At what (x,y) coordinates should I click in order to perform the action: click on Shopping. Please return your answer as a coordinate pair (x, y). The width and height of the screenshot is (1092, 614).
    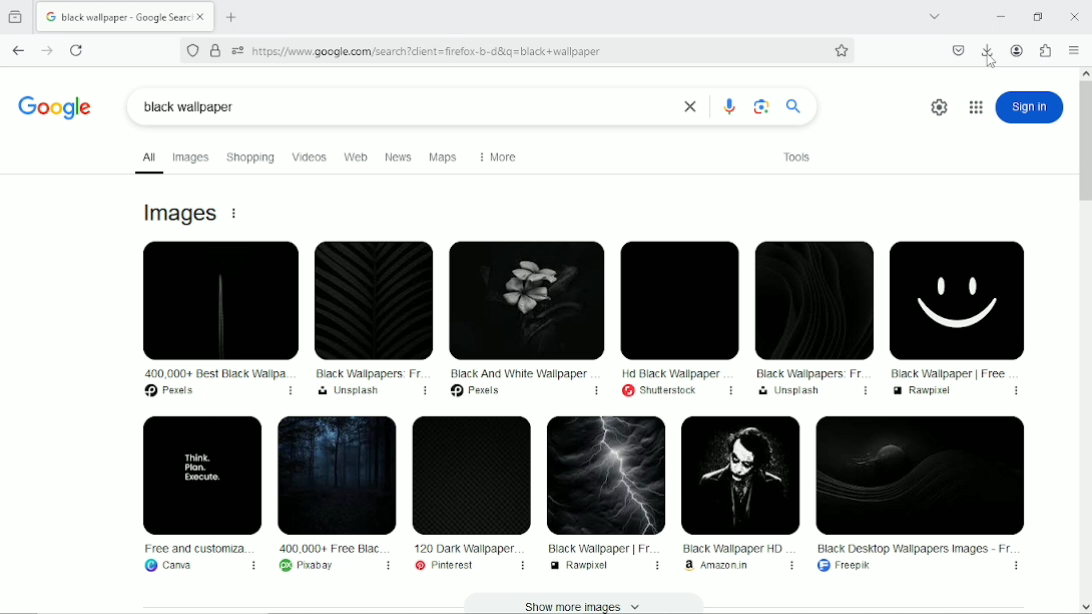
    Looking at the image, I should click on (249, 156).